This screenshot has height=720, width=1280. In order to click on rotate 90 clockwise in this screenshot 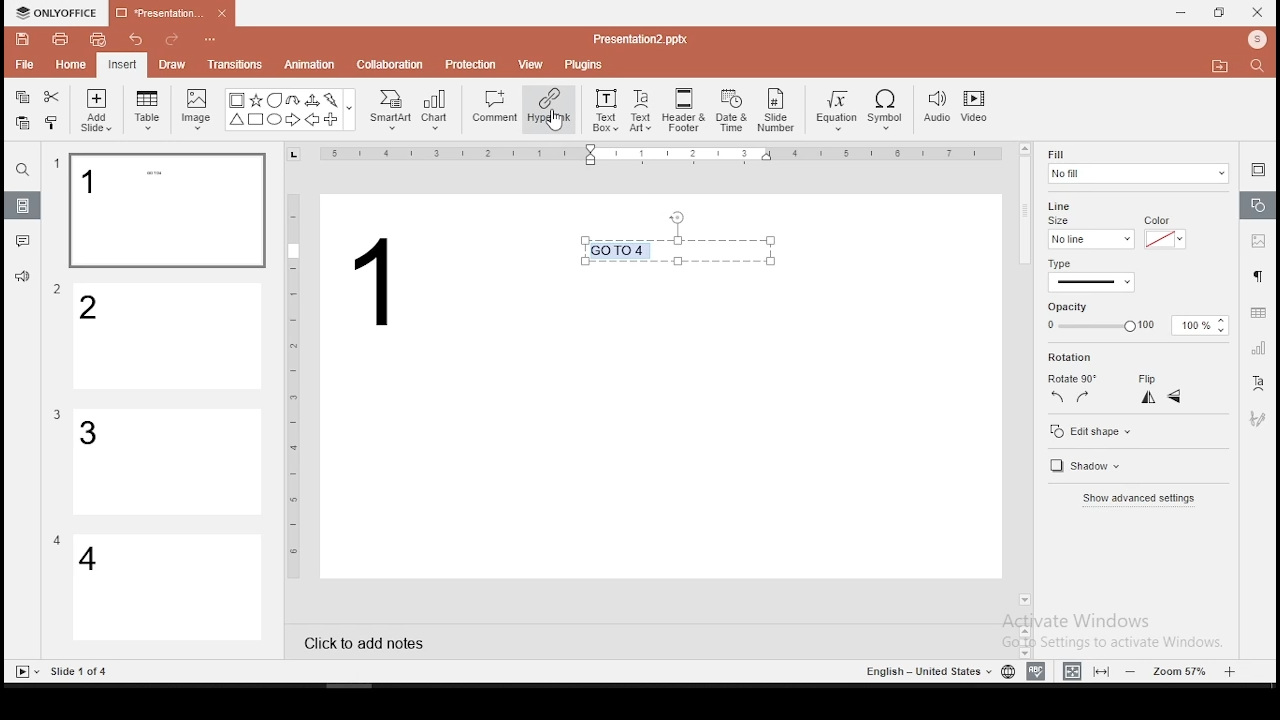, I will do `click(1084, 396)`.